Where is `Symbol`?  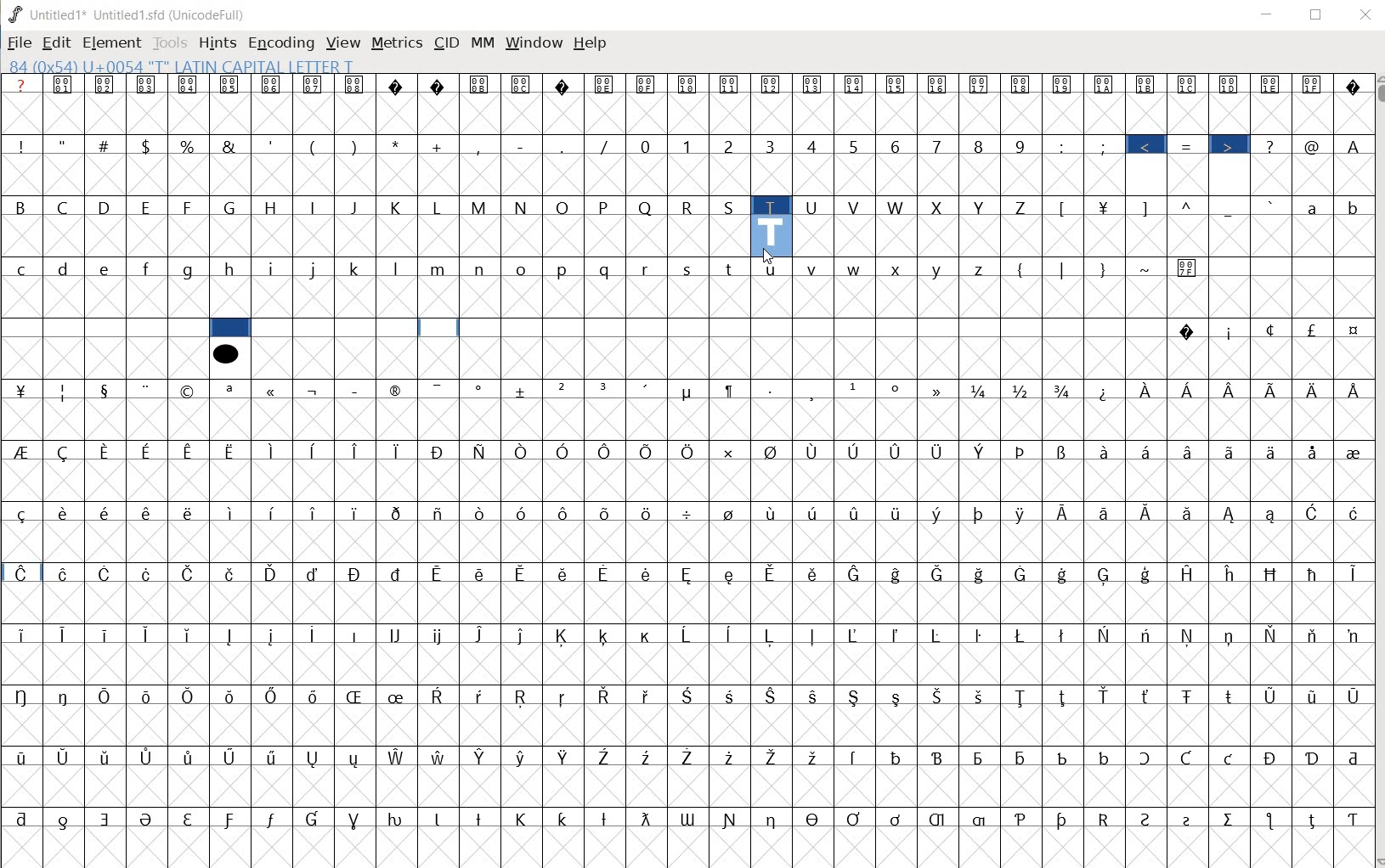
Symbol is located at coordinates (564, 391).